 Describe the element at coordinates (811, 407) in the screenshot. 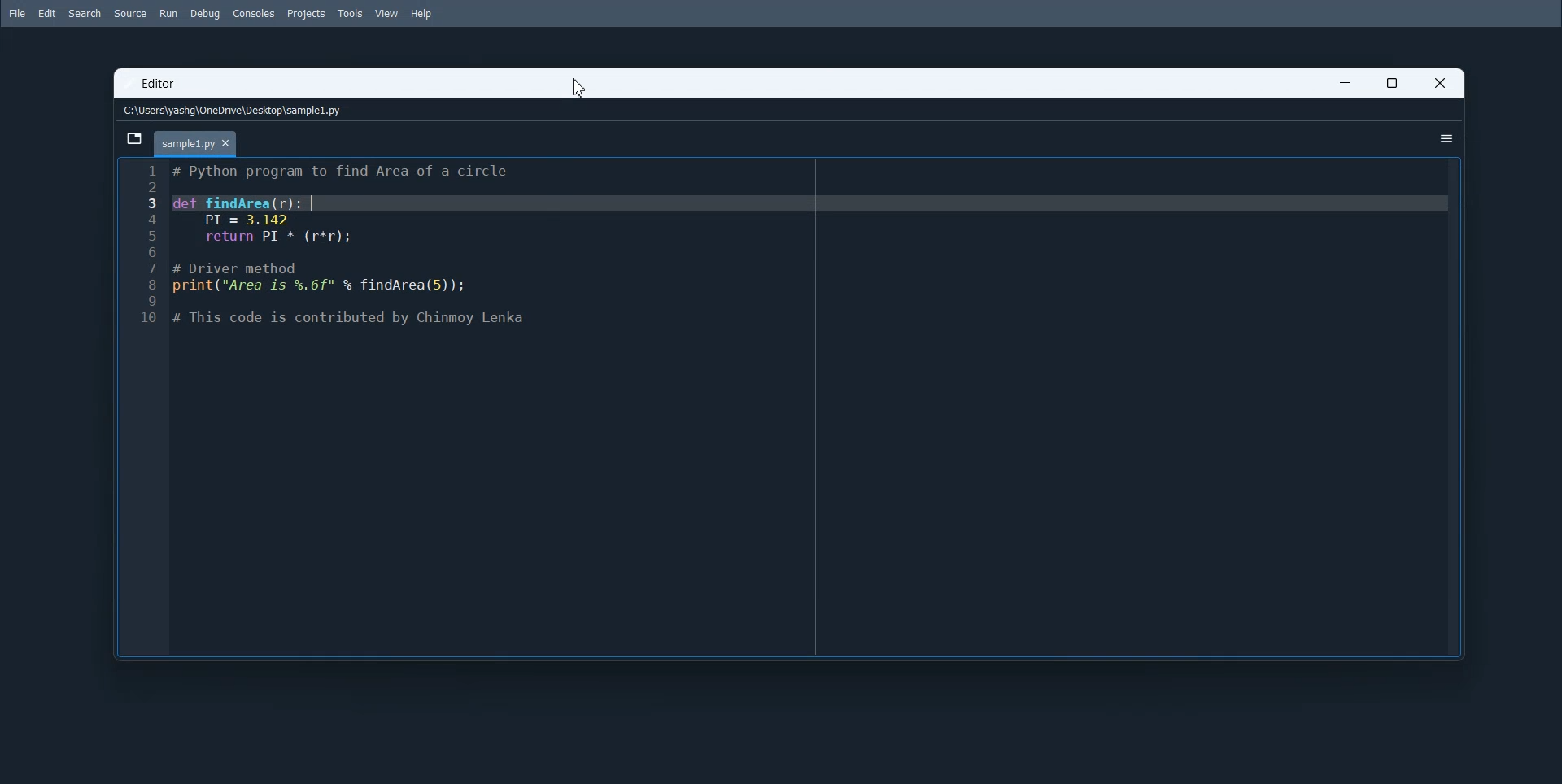

I see `# Function to find the area of a circle def findArea(r):     PI = 3.143     return PI * (r * r)  # Driver method radius = 5  # You can change the value of radius to test with different inputs print("Area is", findArea(radius))` at that location.